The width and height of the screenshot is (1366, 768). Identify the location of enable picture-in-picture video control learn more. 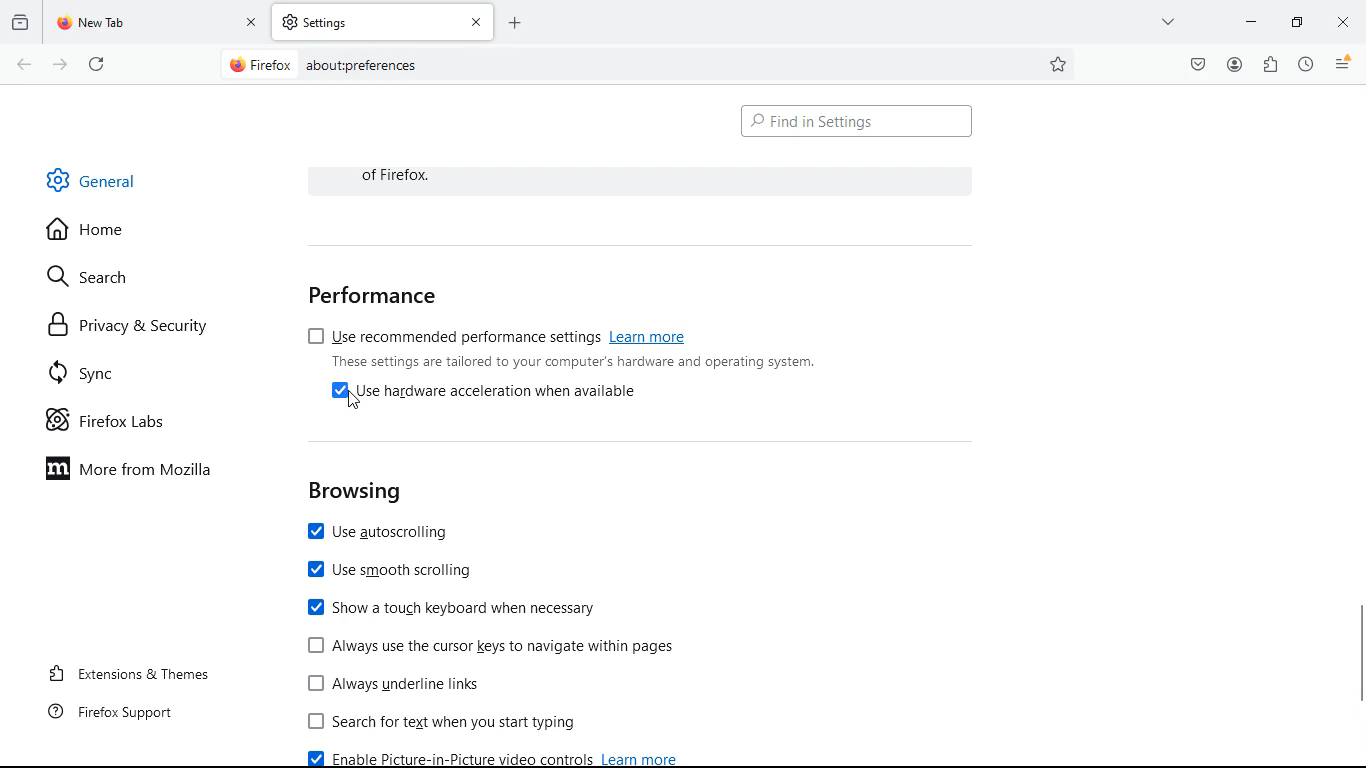
(499, 756).